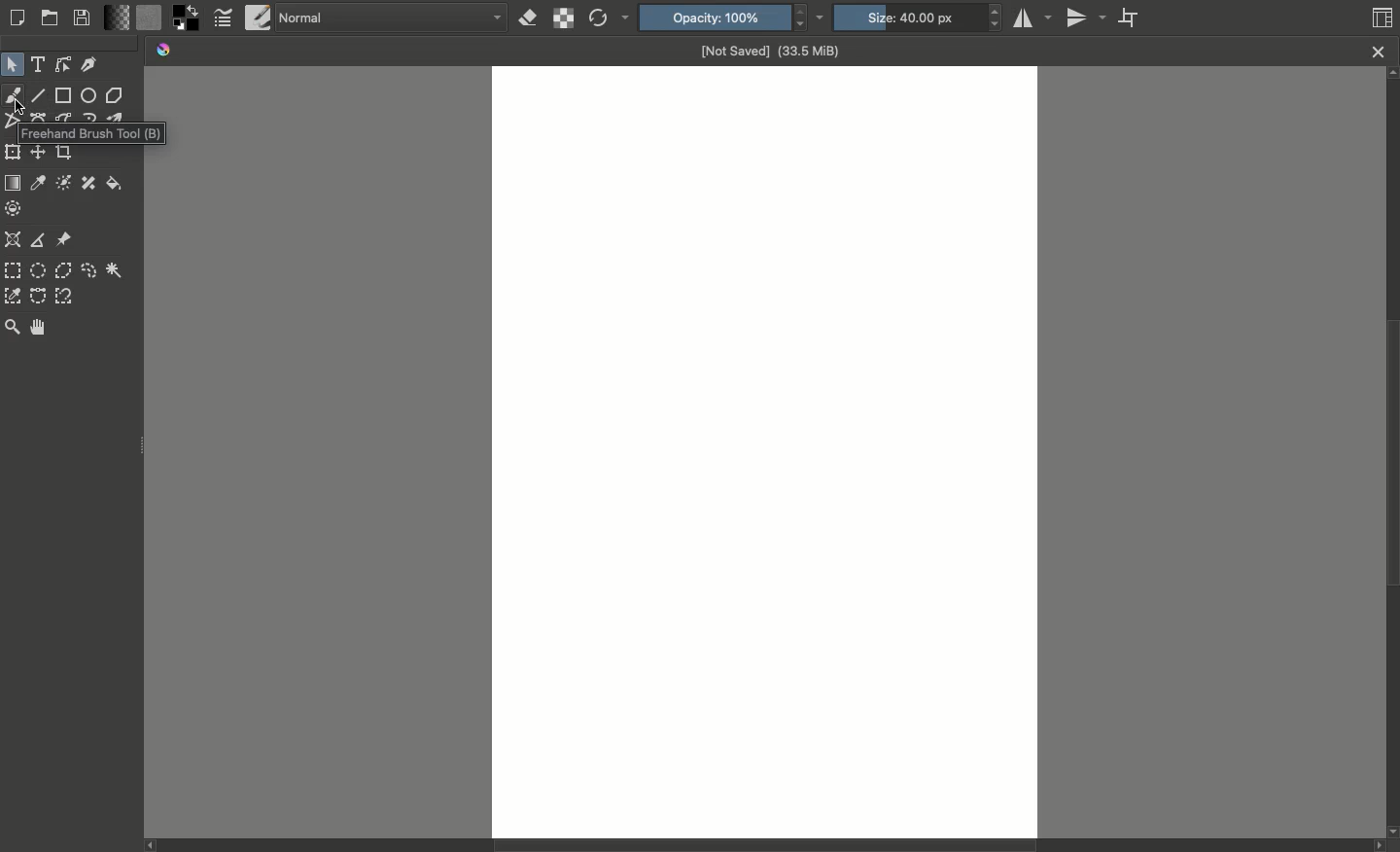  What do you see at coordinates (11, 124) in the screenshot?
I see `Polyline` at bounding box center [11, 124].